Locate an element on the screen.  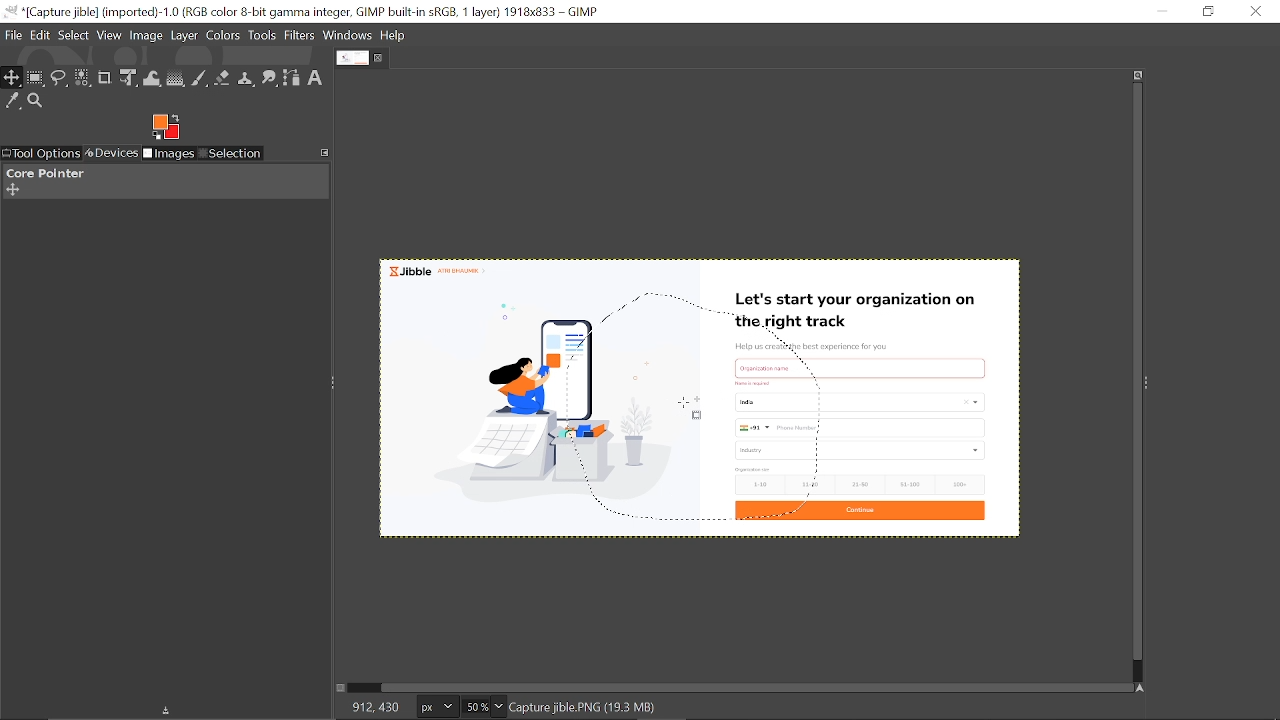
help is located at coordinates (394, 36).